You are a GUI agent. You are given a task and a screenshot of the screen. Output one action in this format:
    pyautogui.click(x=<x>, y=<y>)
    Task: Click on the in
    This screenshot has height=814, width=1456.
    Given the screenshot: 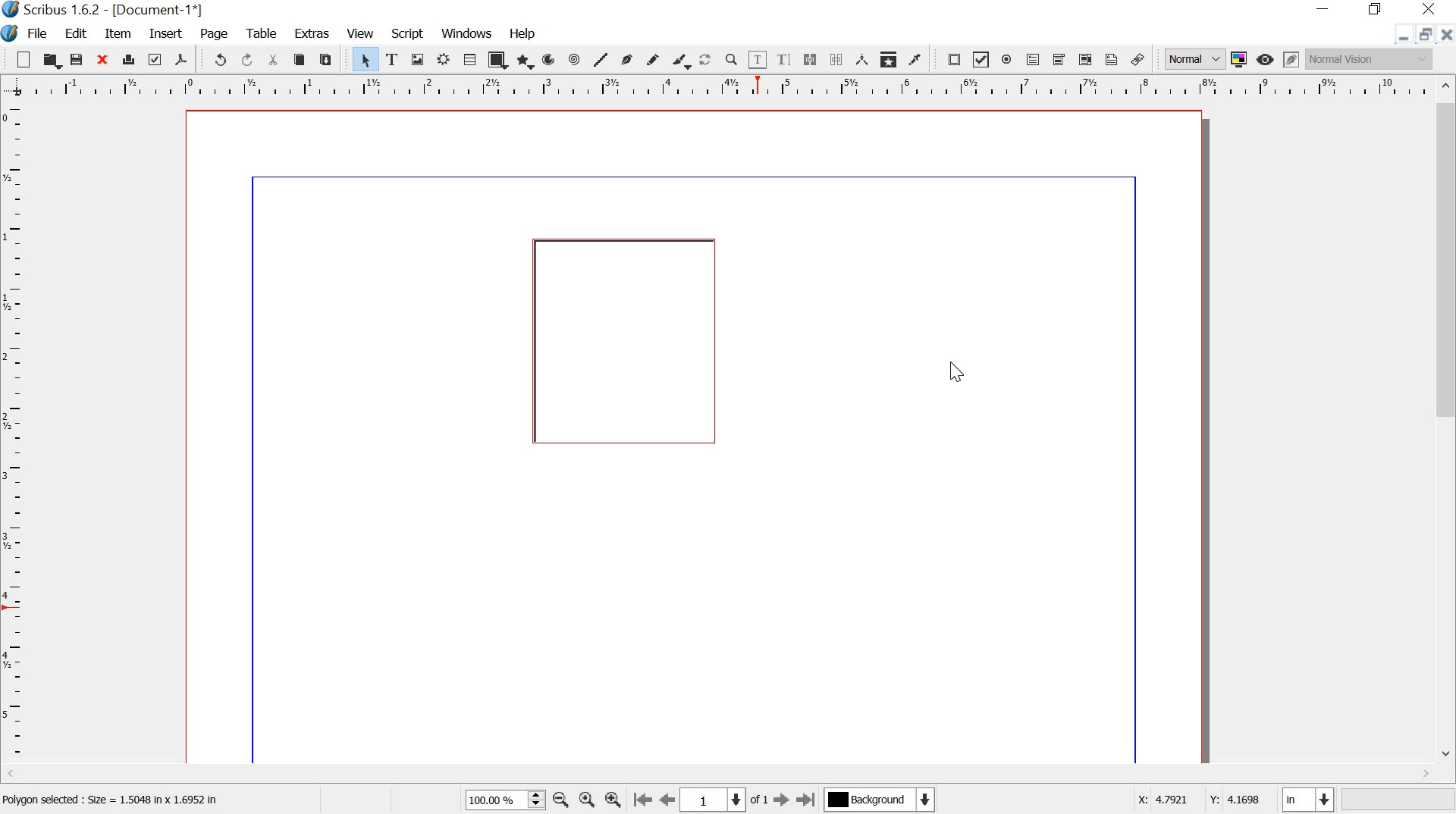 What is the action you would take?
    pyautogui.click(x=1306, y=799)
    